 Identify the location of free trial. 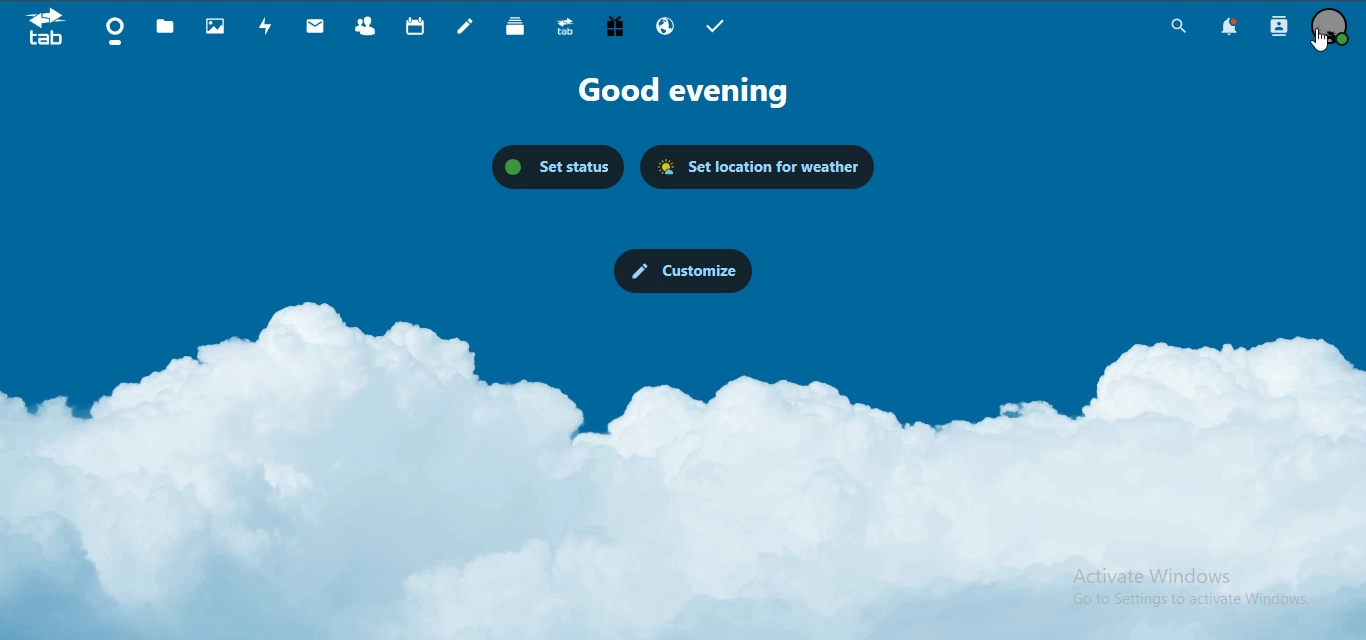
(617, 29).